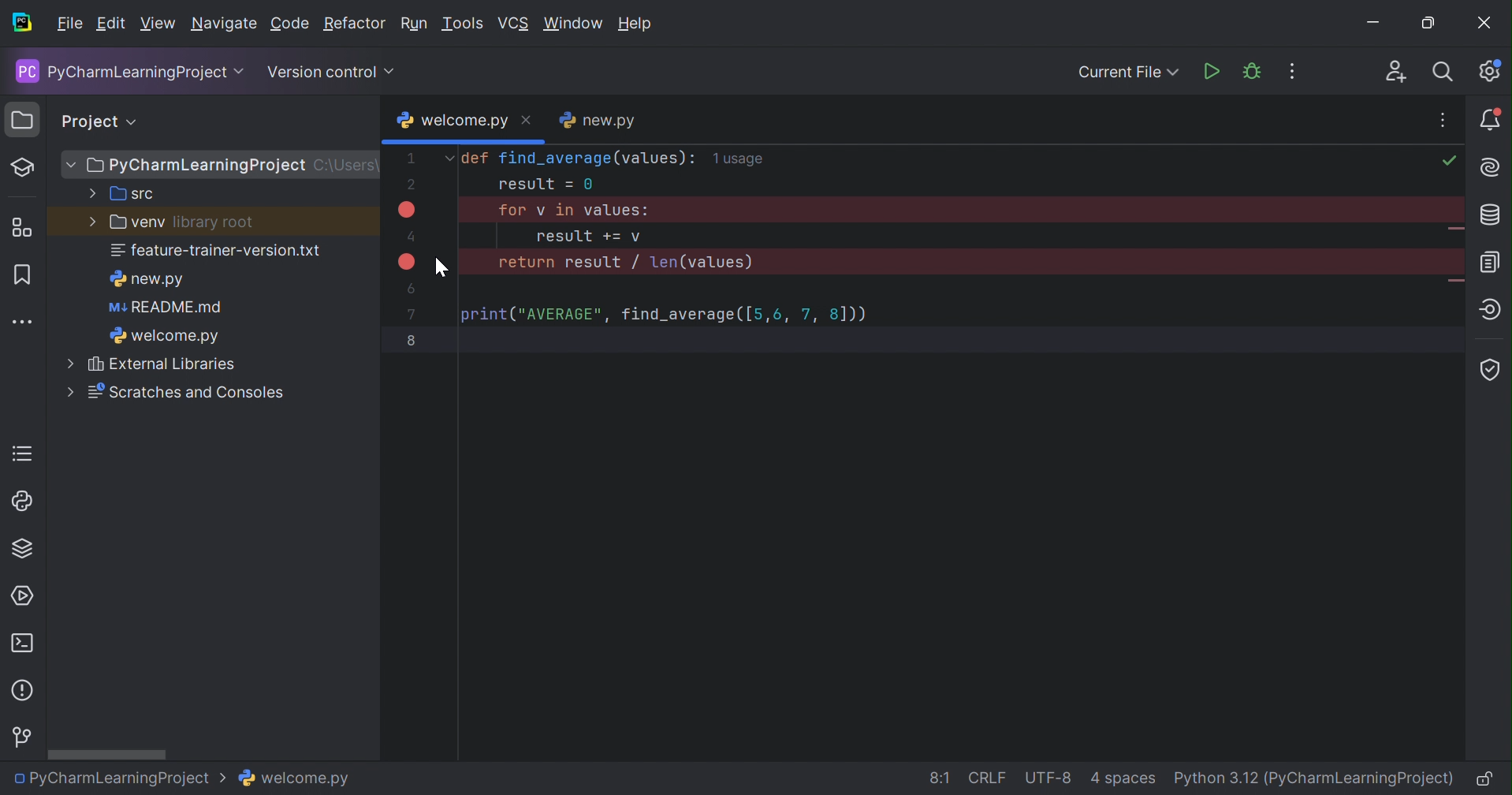 This screenshot has height=795, width=1512. What do you see at coordinates (988, 775) in the screenshot?
I see `CRLF` at bounding box center [988, 775].